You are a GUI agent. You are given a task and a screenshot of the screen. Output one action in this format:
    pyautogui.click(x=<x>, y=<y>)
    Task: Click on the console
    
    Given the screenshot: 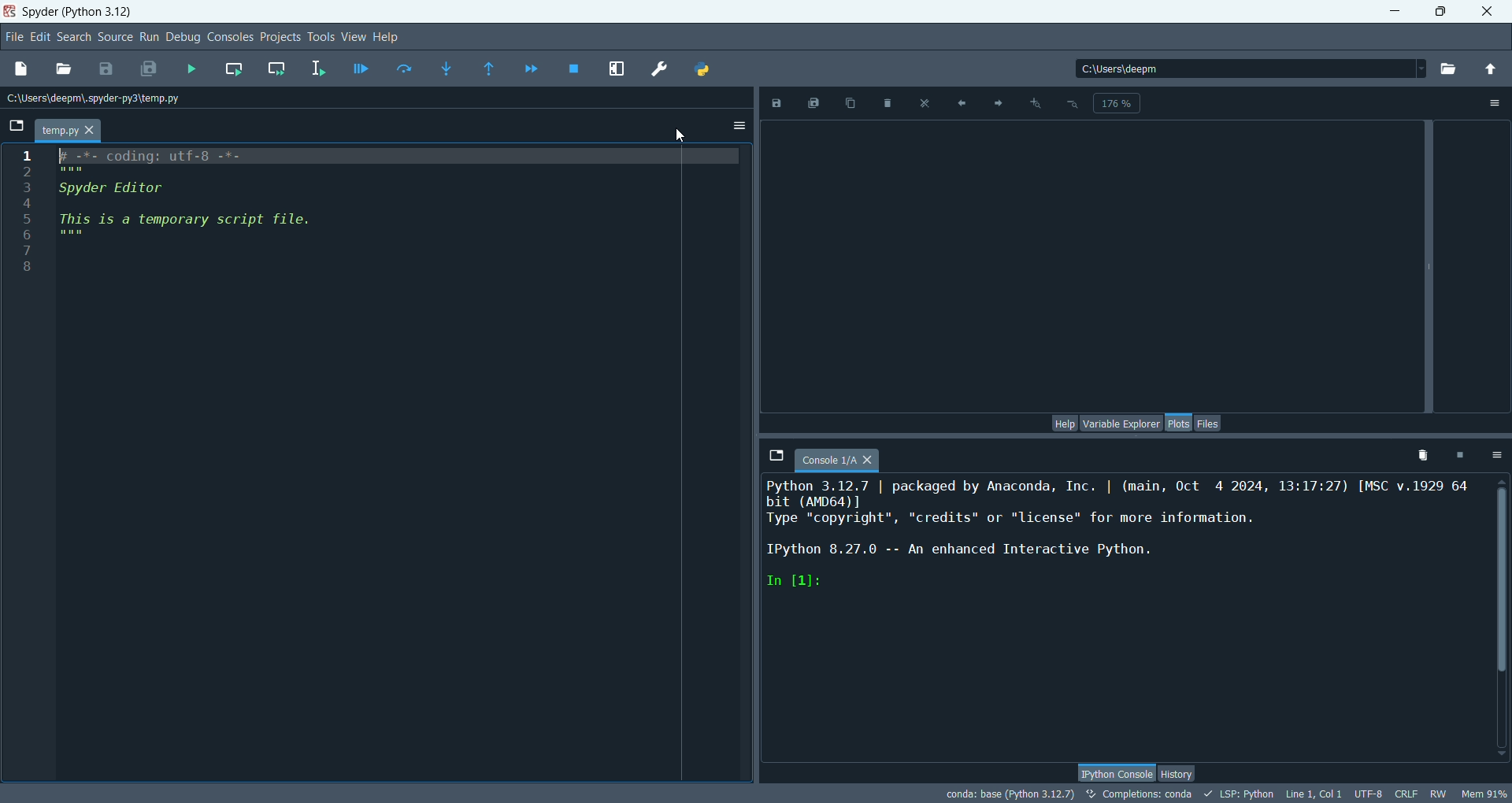 What is the action you would take?
    pyautogui.click(x=837, y=460)
    